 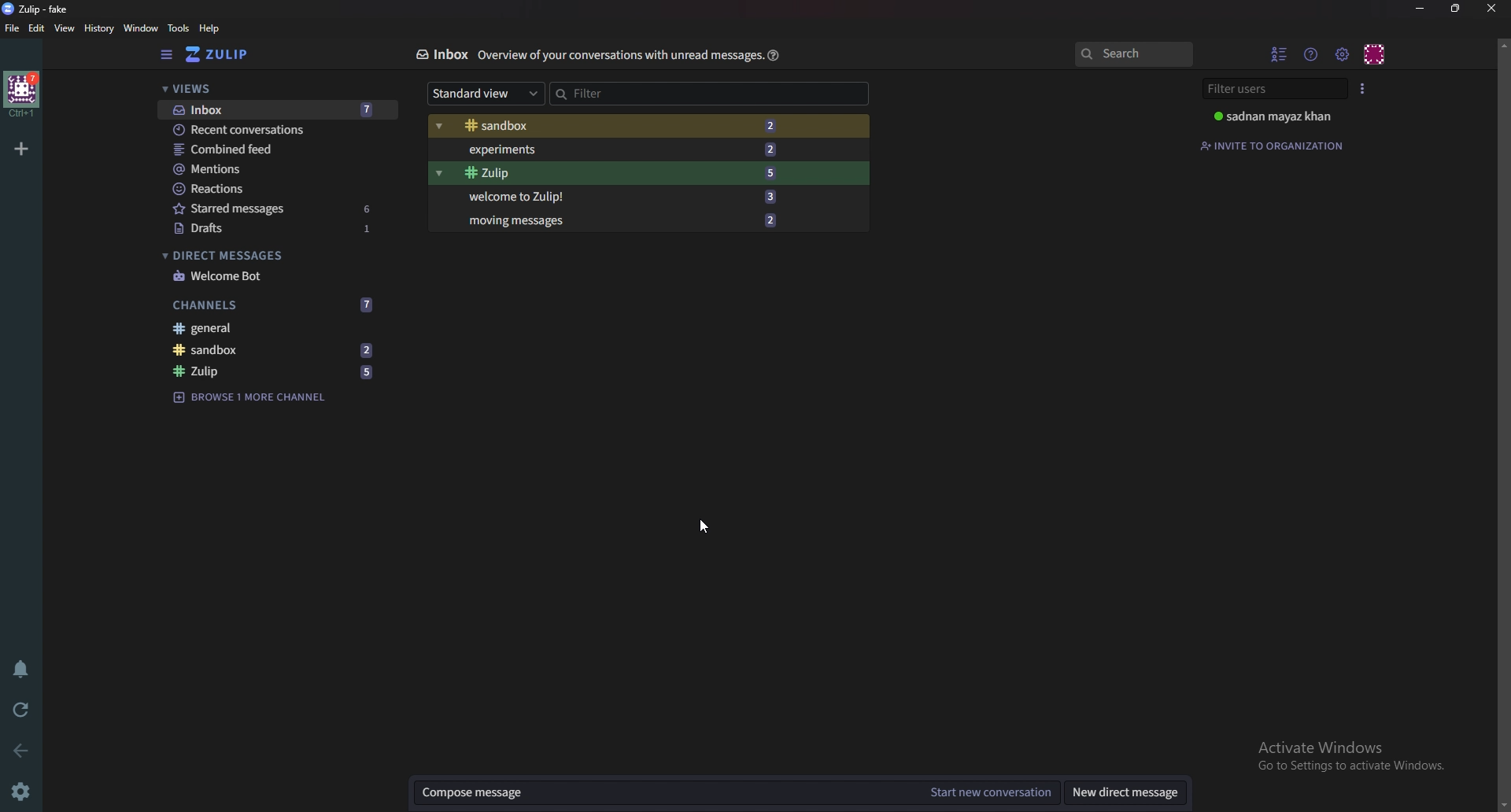 What do you see at coordinates (1126, 792) in the screenshot?
I see `New direct message` at bounding box center [1126, 792].